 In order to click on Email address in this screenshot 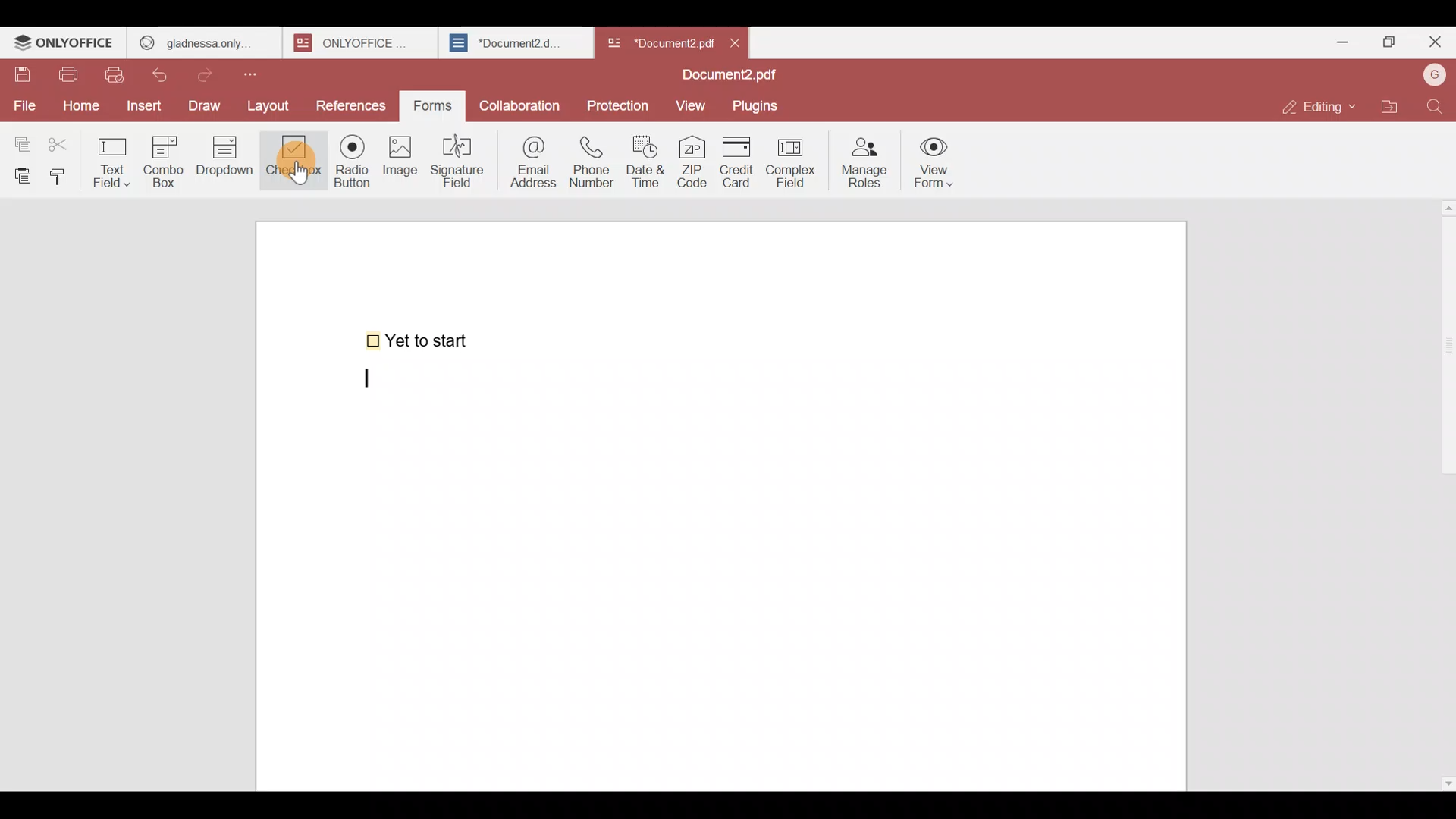, I will do `click(530, 160)`.